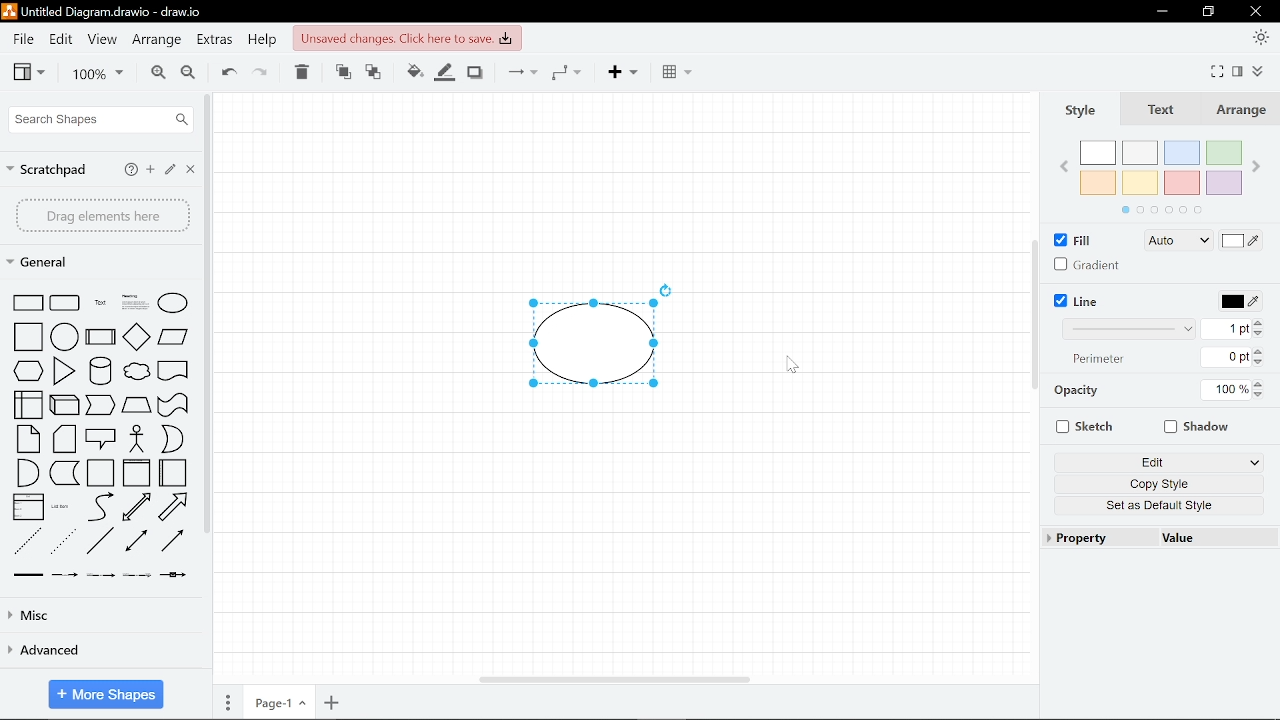 This screenshot has width=1280, height=720. Describe the element at coordinates (1114, 392) in the screenshot. I see `Opacity` at that location.